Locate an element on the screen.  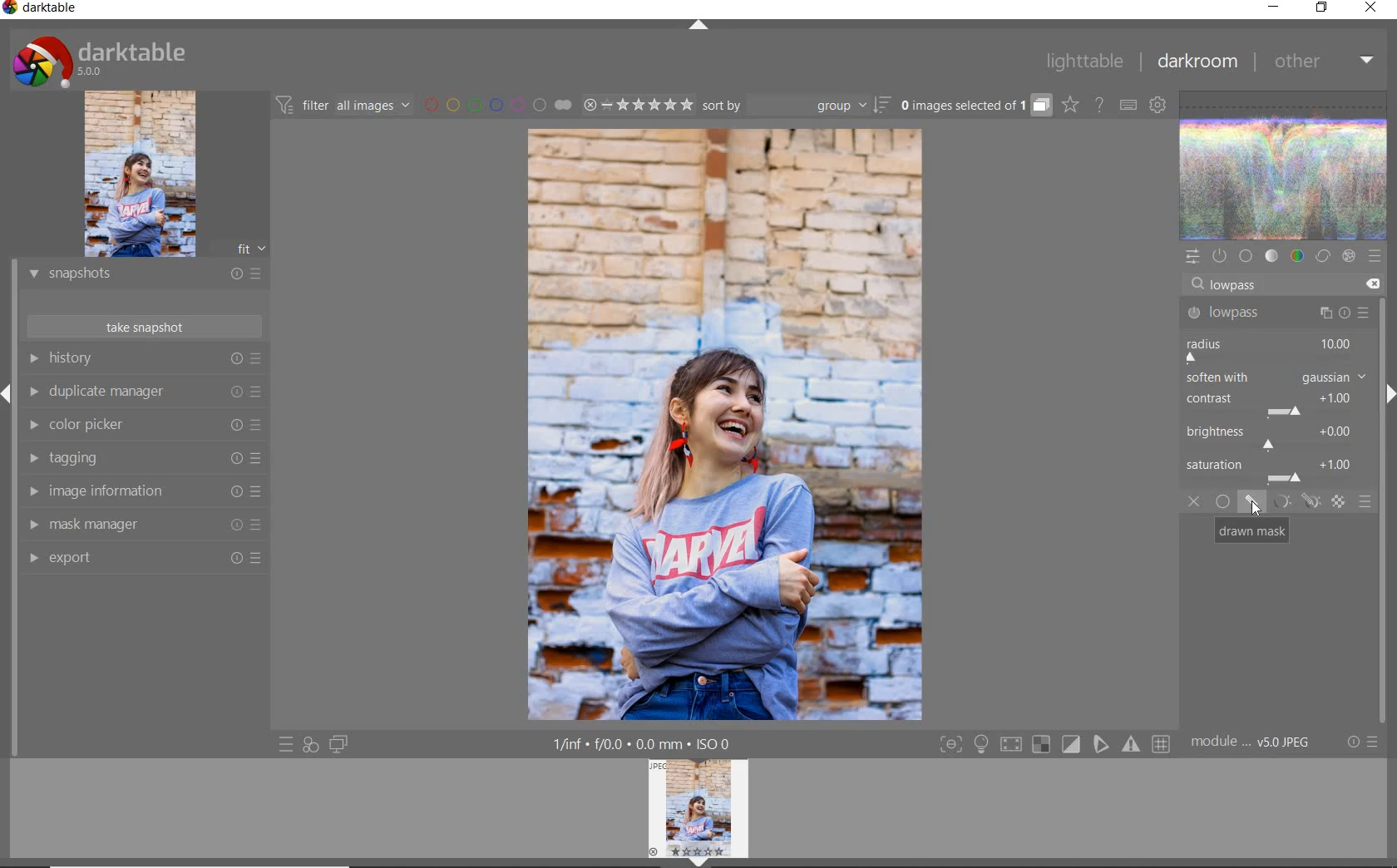
lowpass is located at coordinates (1241, 286).